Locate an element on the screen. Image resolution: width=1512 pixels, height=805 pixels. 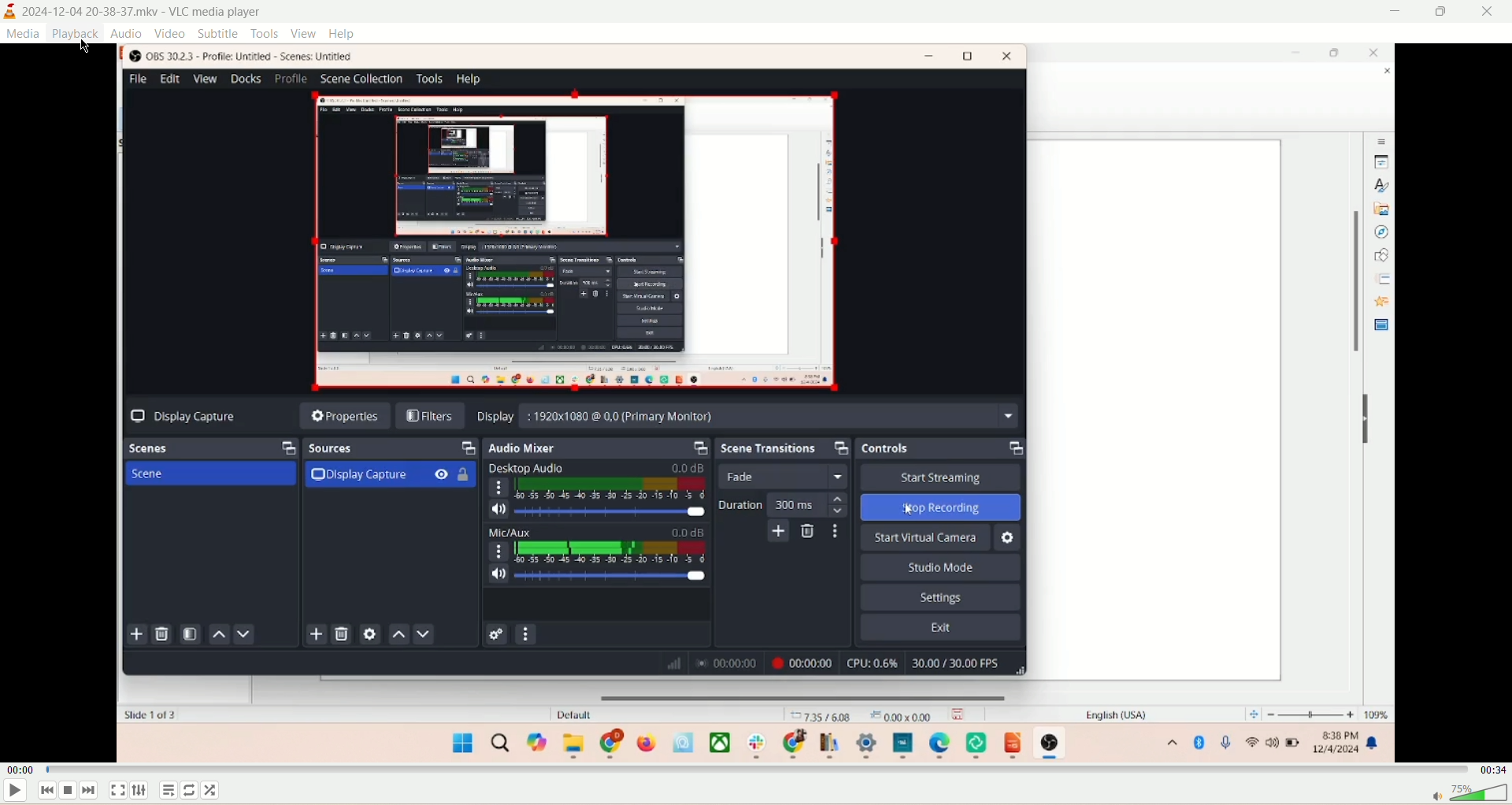
extended settings is located at coordinates (139, 792).